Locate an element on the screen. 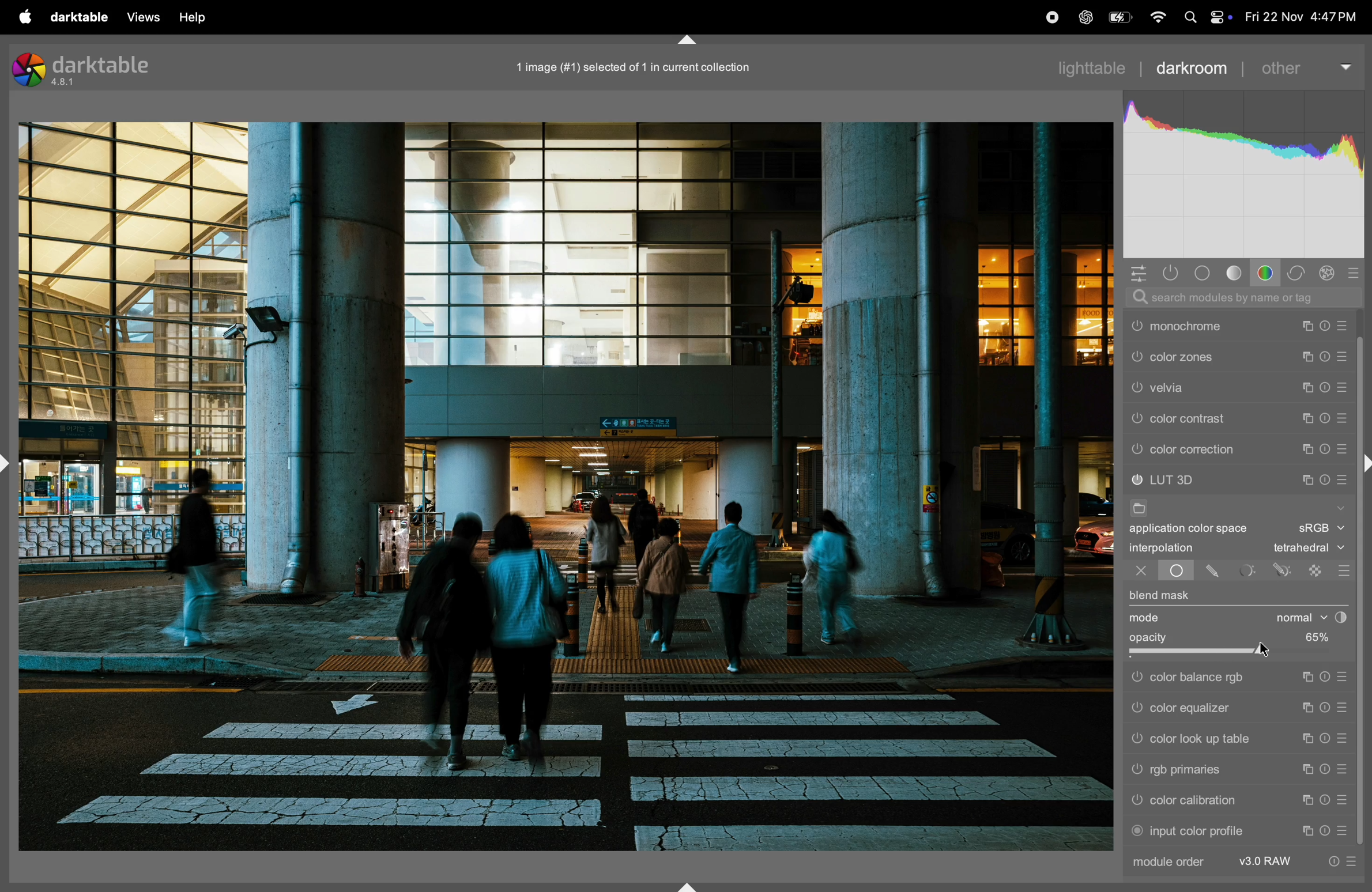  quick access panel is located at coordinates (1134, 272).